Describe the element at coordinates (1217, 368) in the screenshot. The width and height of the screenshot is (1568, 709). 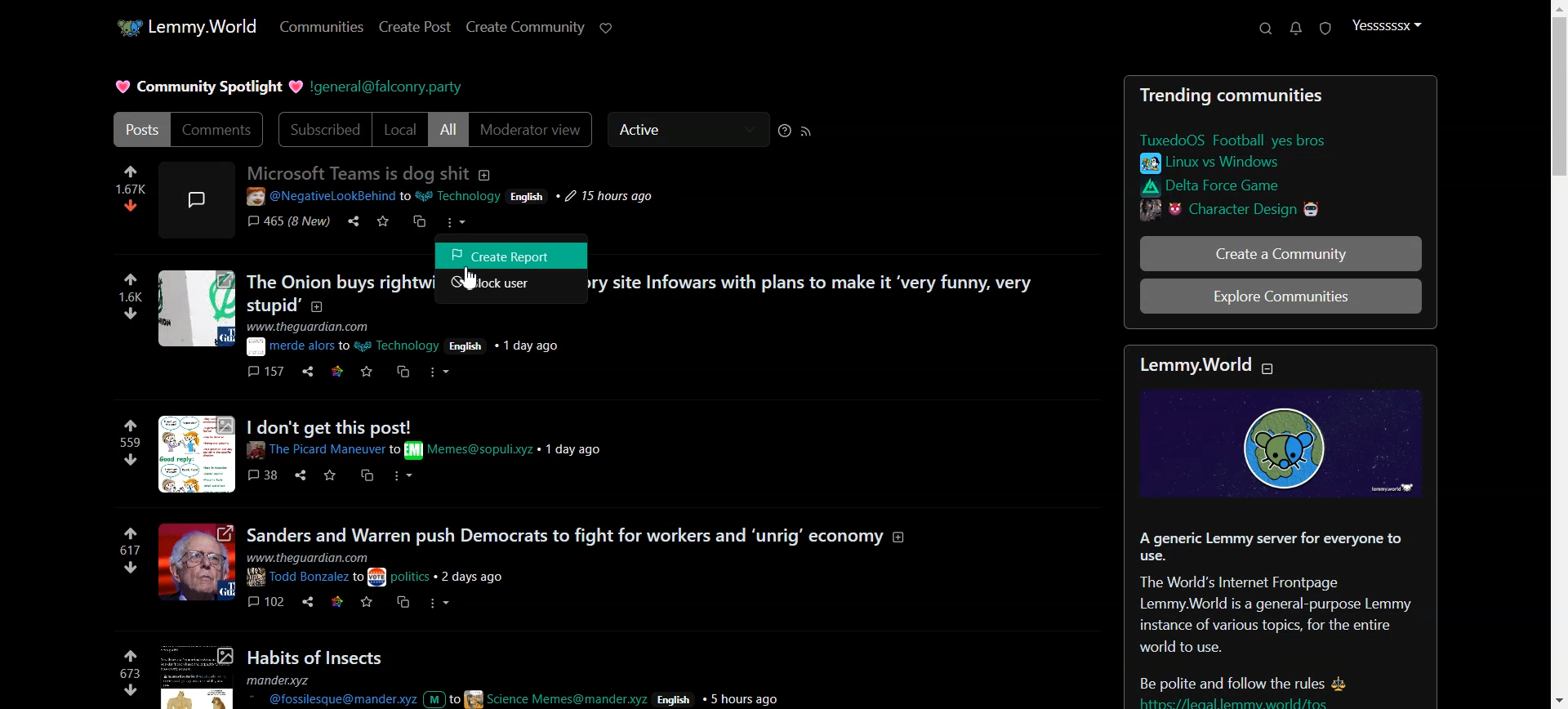
I see `text` at that location.